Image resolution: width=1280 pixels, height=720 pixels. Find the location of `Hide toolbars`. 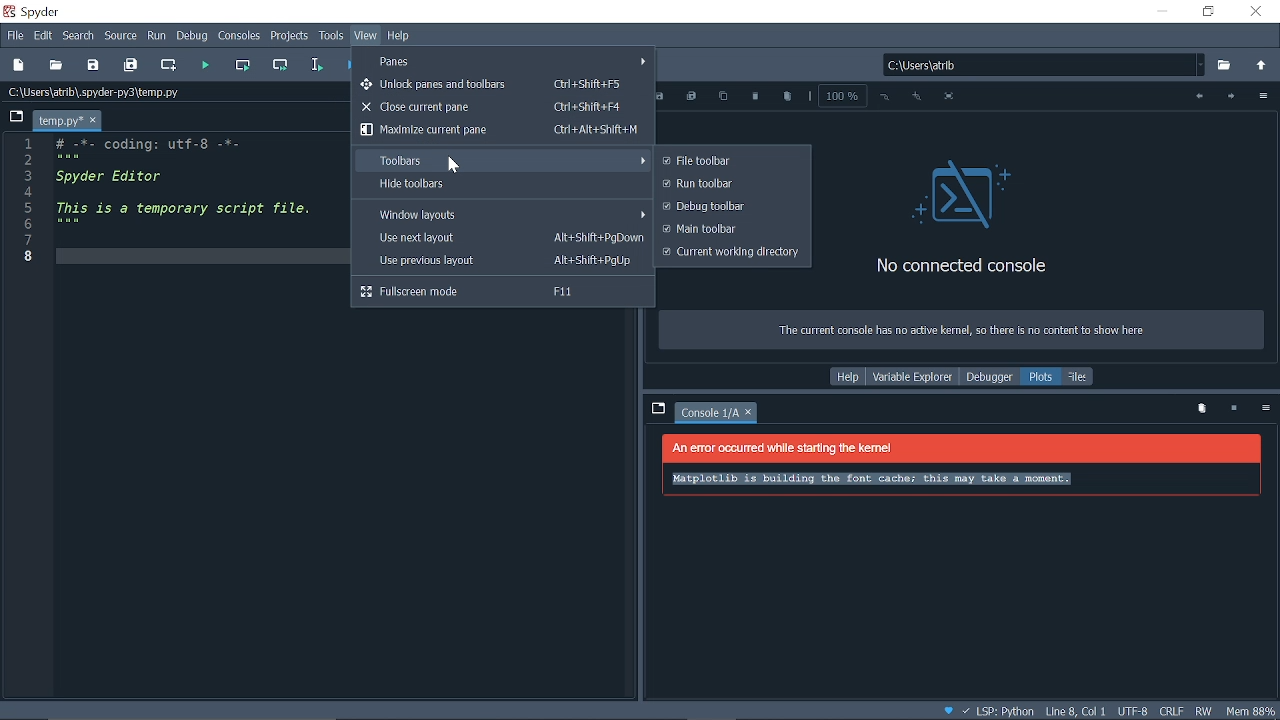

Hide toolbars is located at coordinates (501, 185).